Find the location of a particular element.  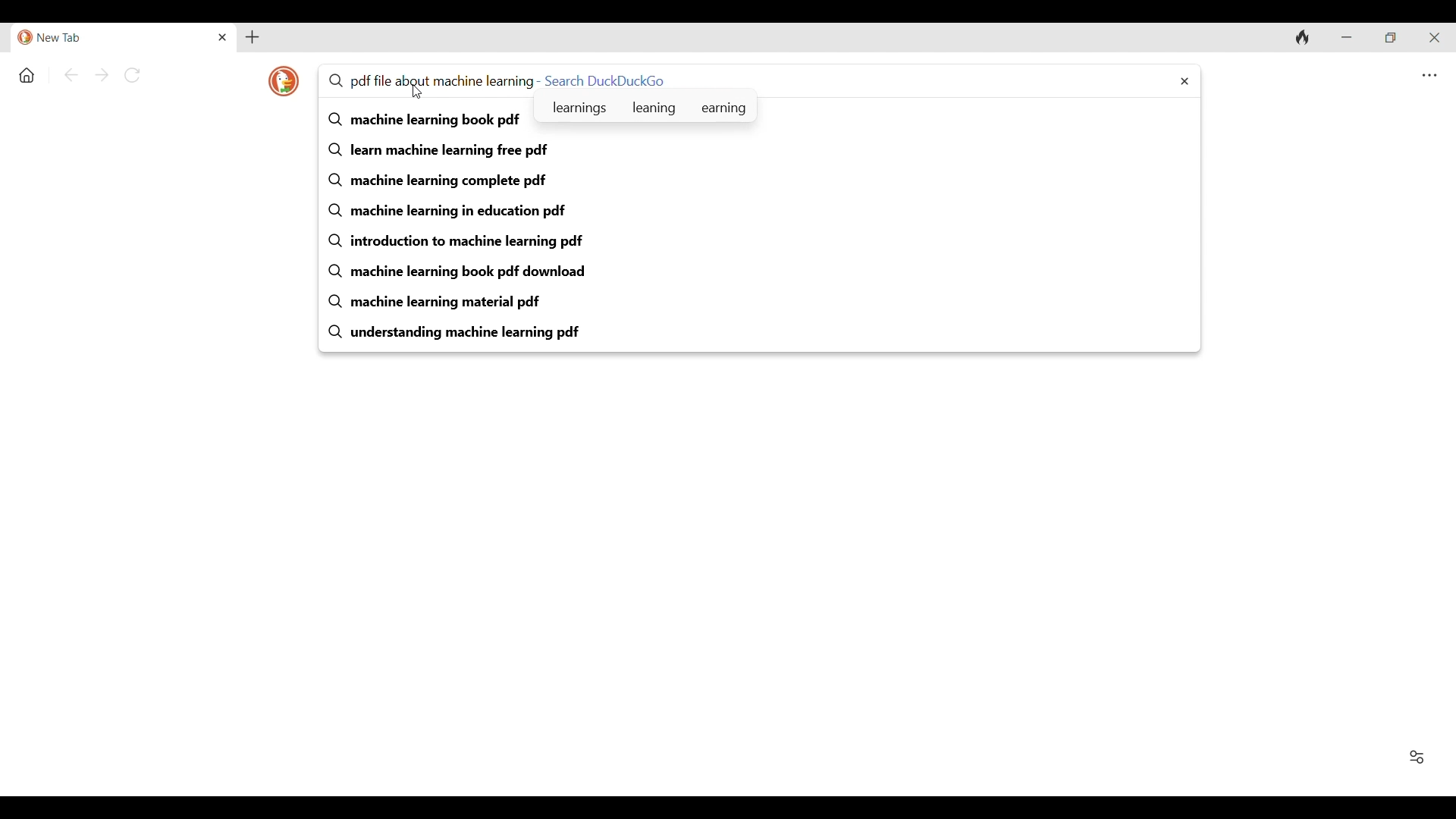

Clear browsing history is located at coordinates (1303, 37).